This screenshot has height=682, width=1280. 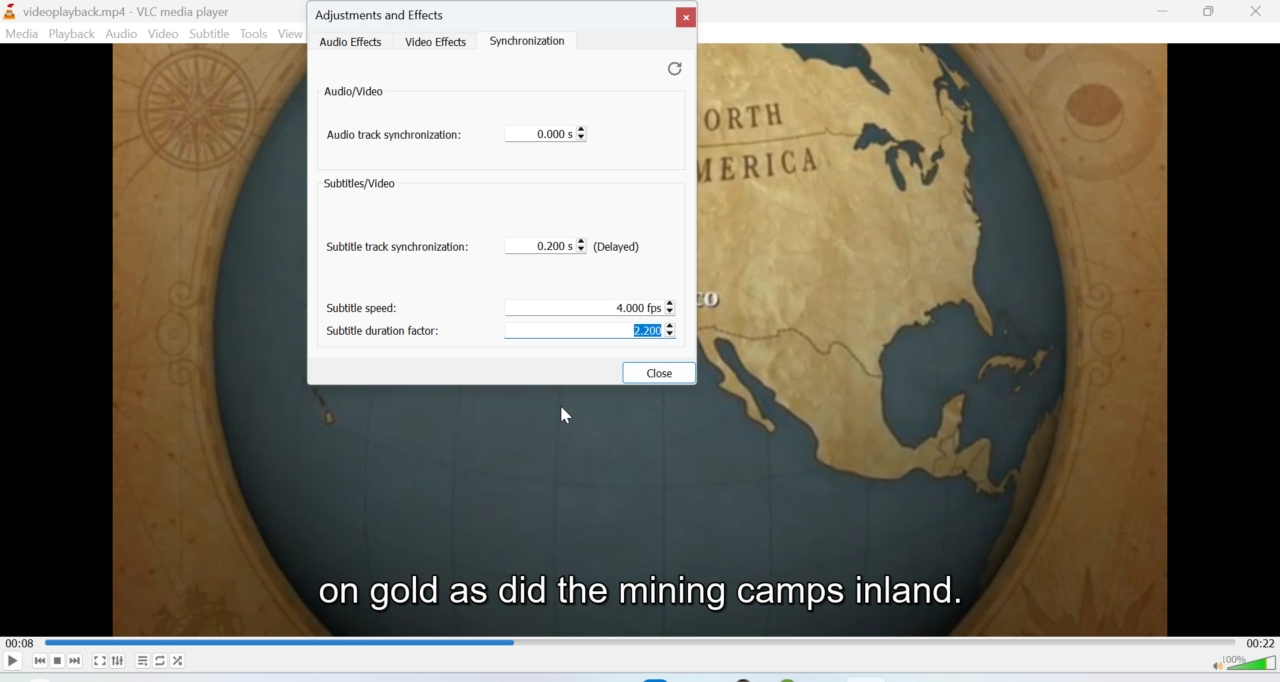 What do you see at coordinates (397, 248) in the screenshot?
I see `subtitle track synchronization:` at bounding box center [397, 248].